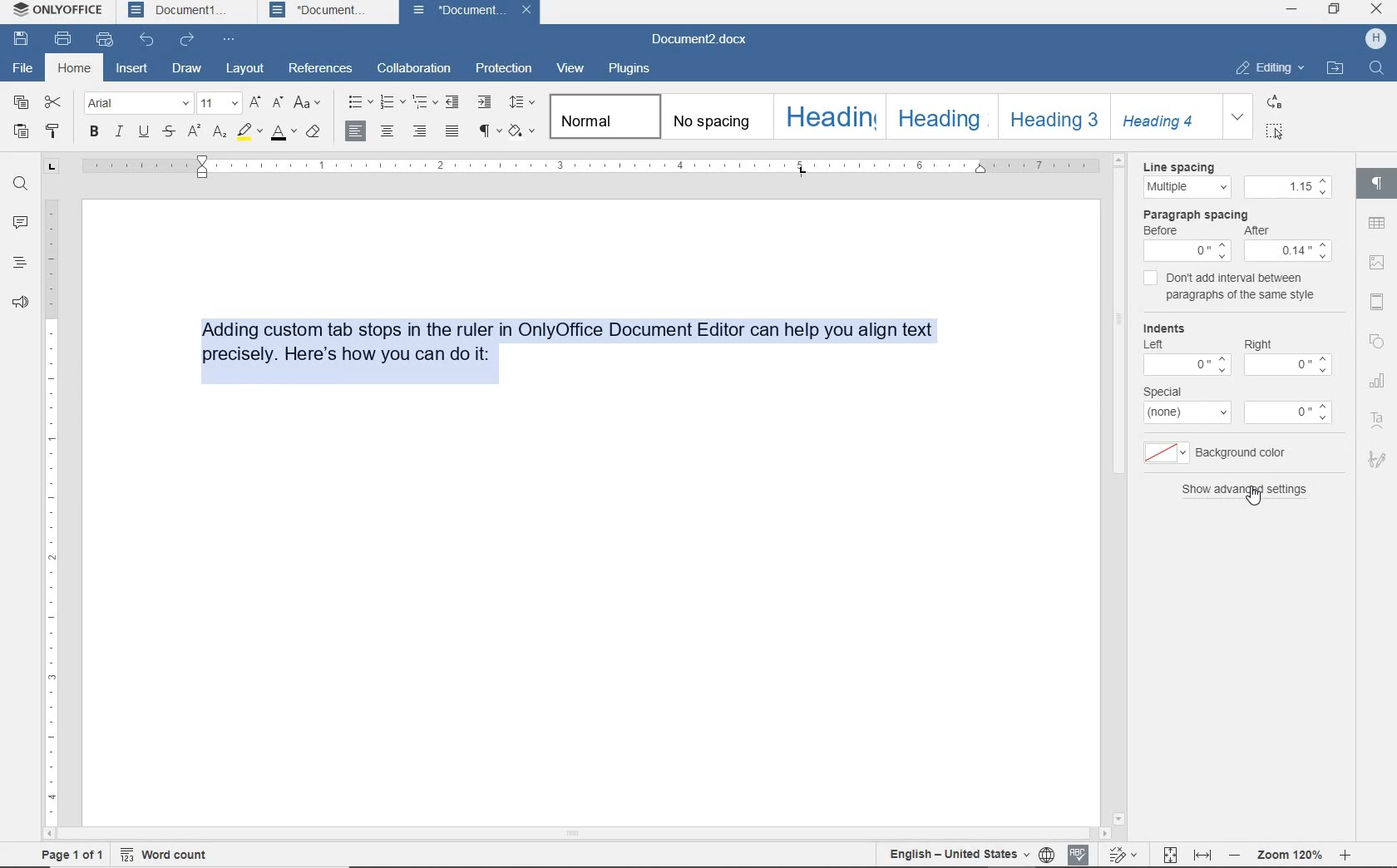 The height and width of the screenshot is (868, 1397). What do you see at coordinates (52, 501) in the screenshot?
I see `ruler` at bounding box center [52, 501].